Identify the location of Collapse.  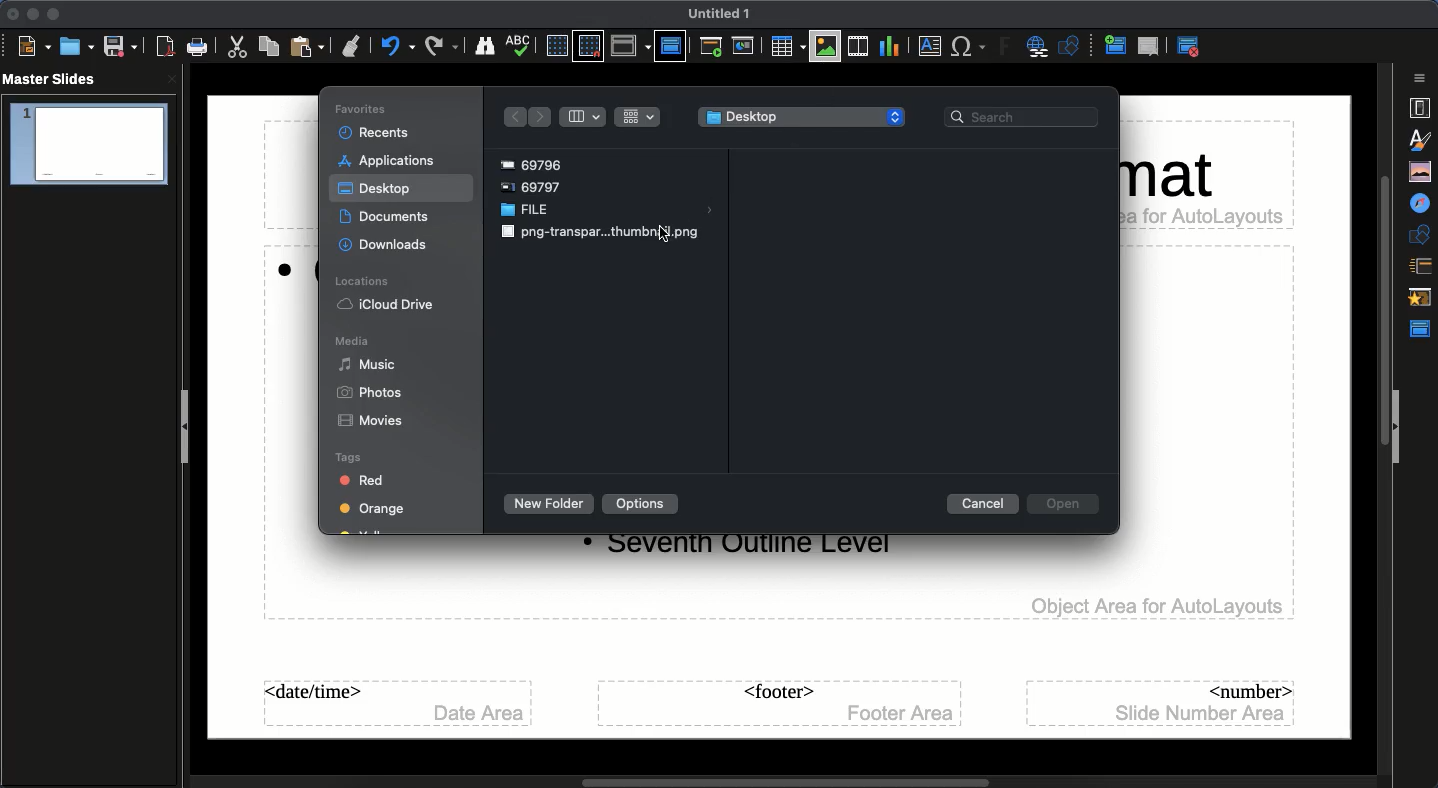
(189, 429).